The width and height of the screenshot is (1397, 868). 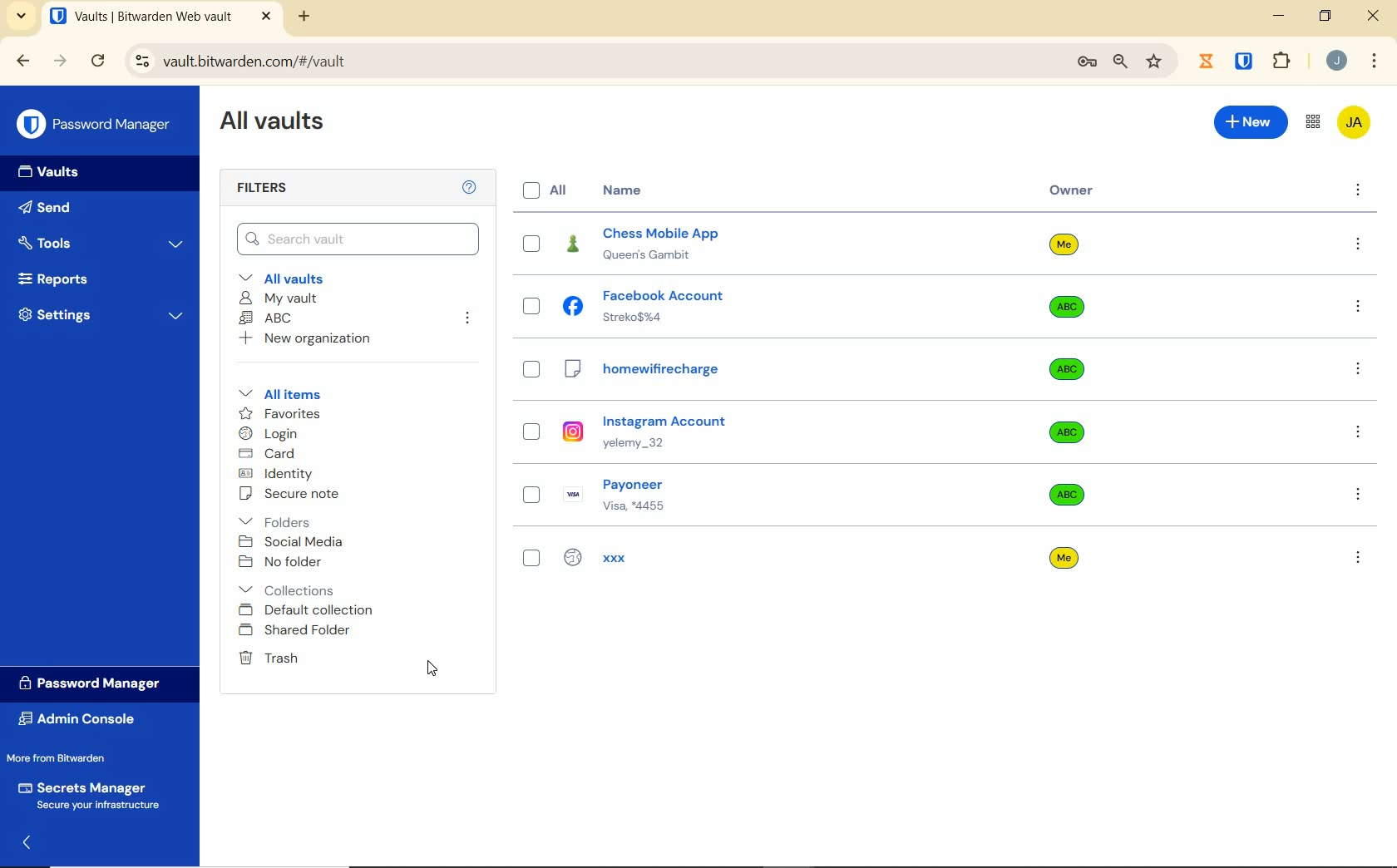 What do you see at coordinates (766, 306) in the screenshot?
I see `facebook account` at bounding box center [766, 306].